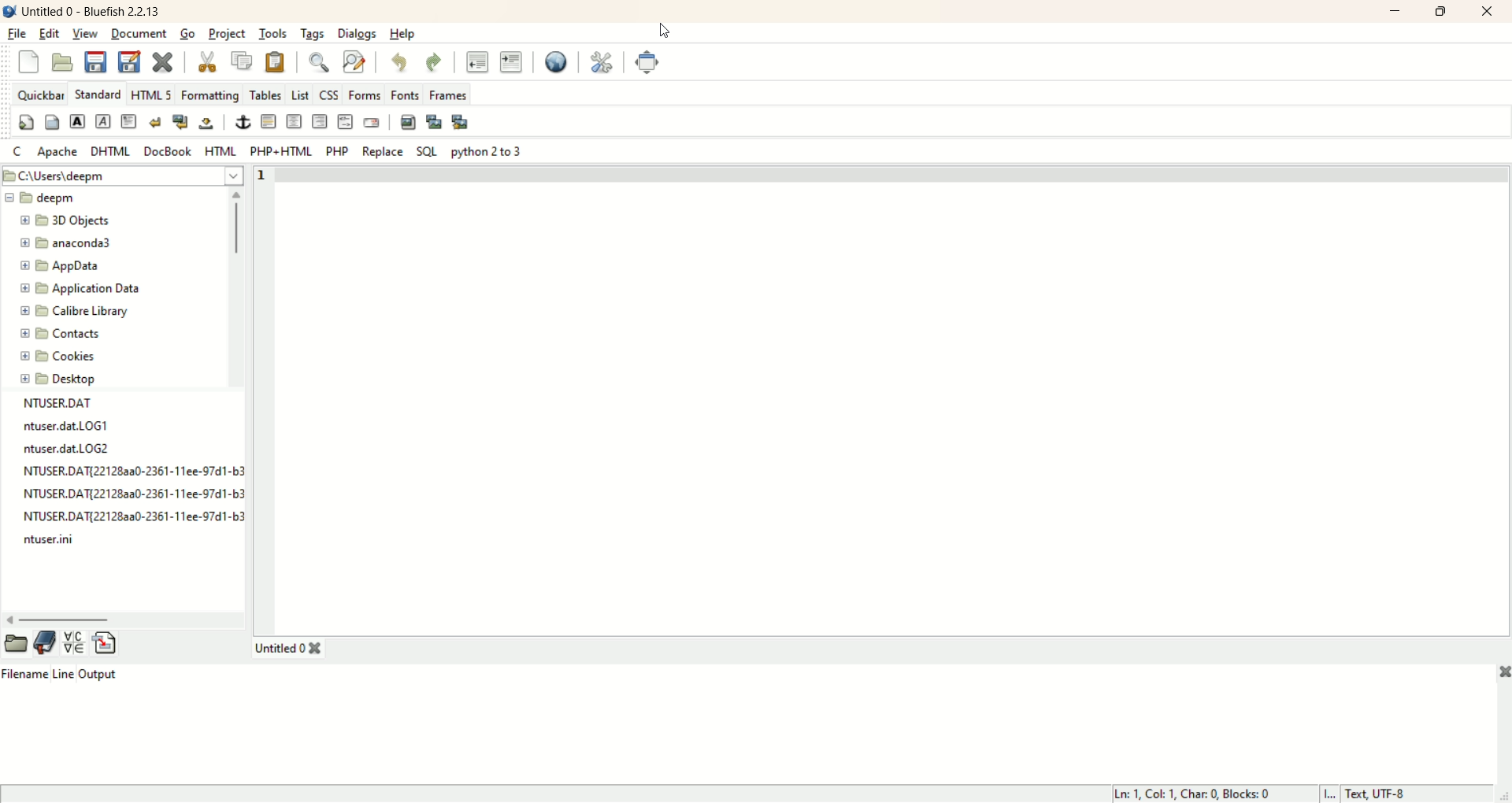 This screenshot has height=803, width=1512. What do you see at coordinates (122, 176) in the screenshot?
I see `location` at bounding box center [122, 176].